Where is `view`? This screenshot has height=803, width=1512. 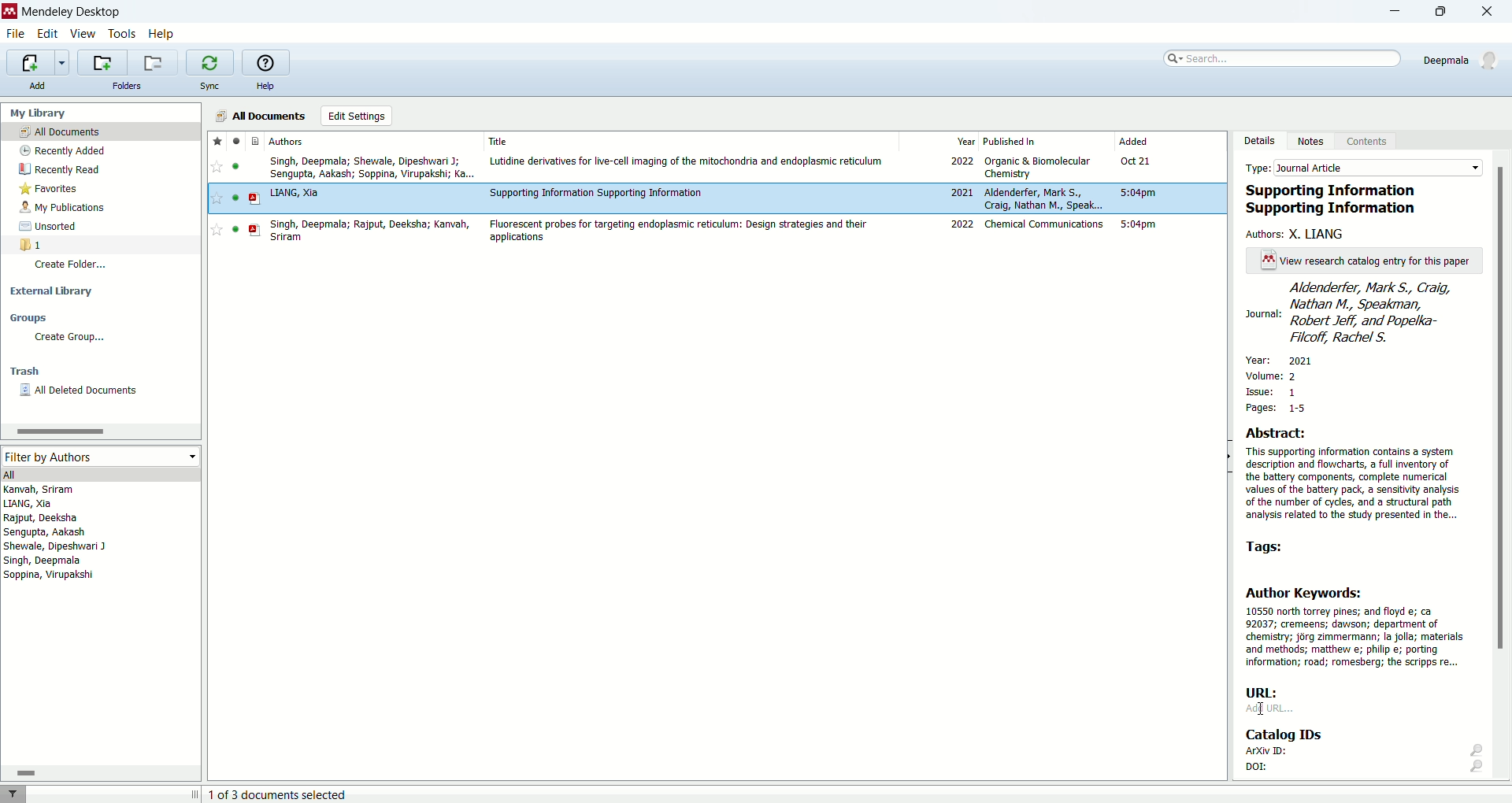
view is located at coordinates (83, 33).